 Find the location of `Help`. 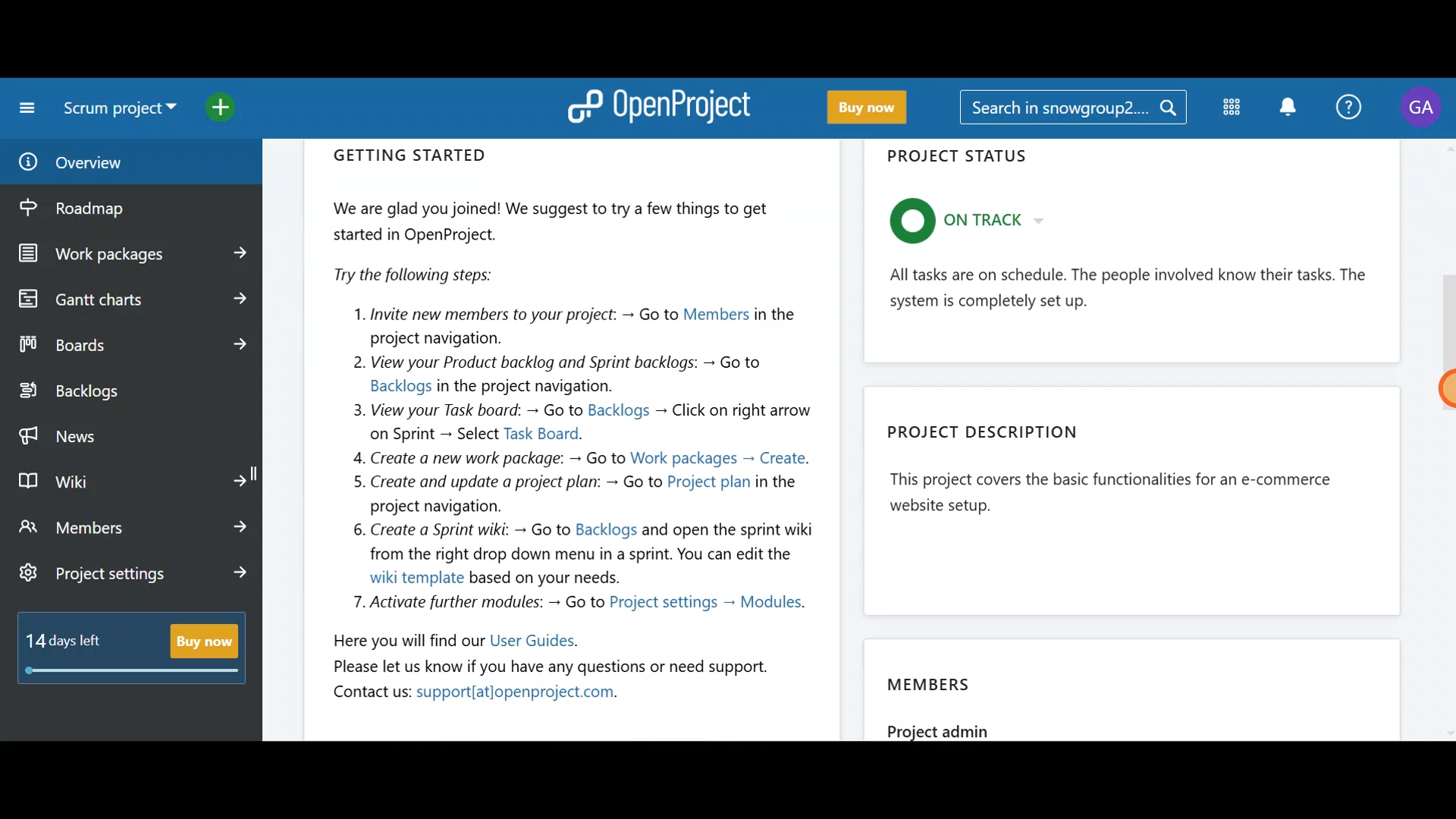

Help is located at coordinates (1351, 105).